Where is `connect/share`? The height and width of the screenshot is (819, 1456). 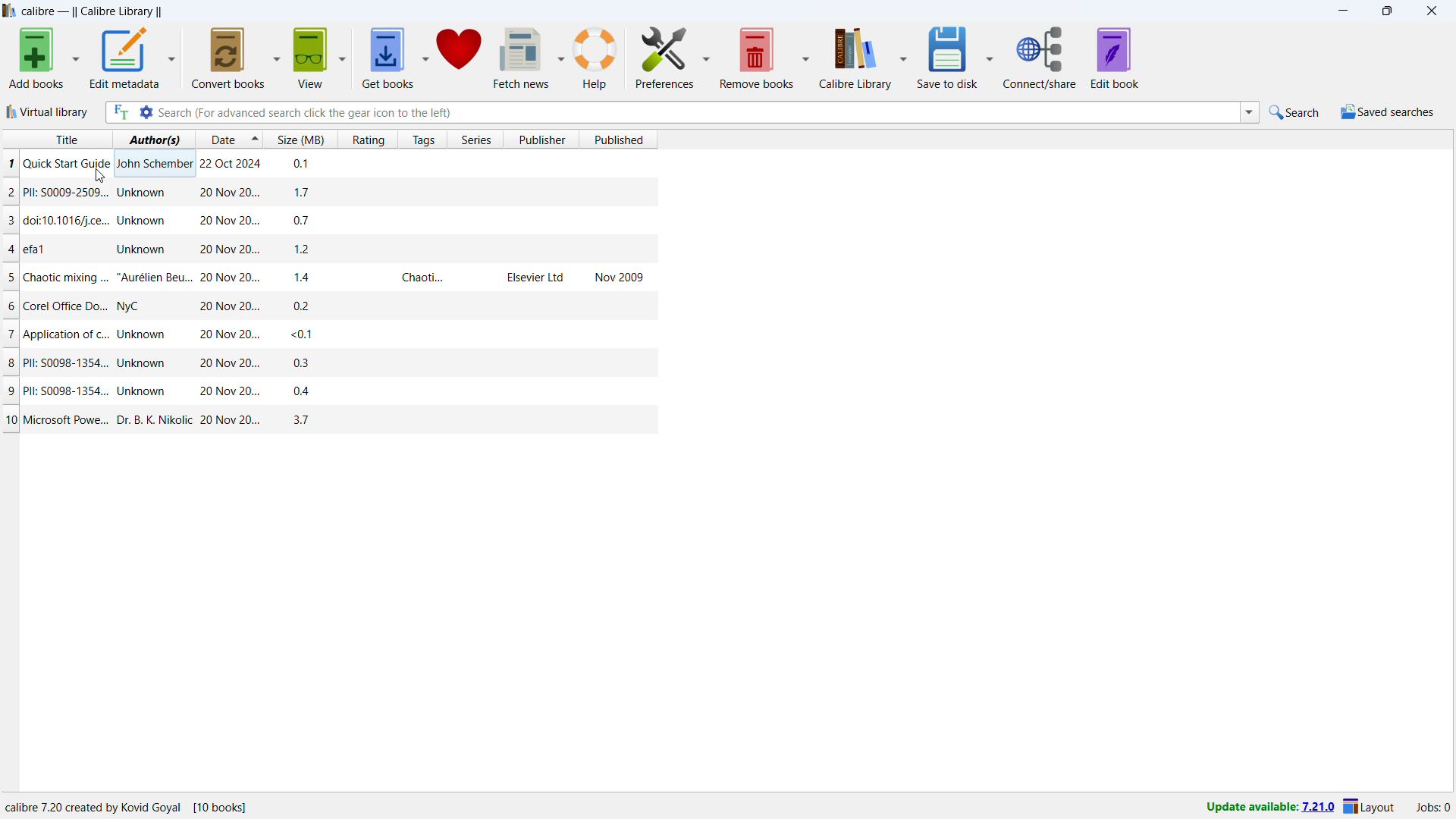
connect/share is located at coordinates (1042, 58).